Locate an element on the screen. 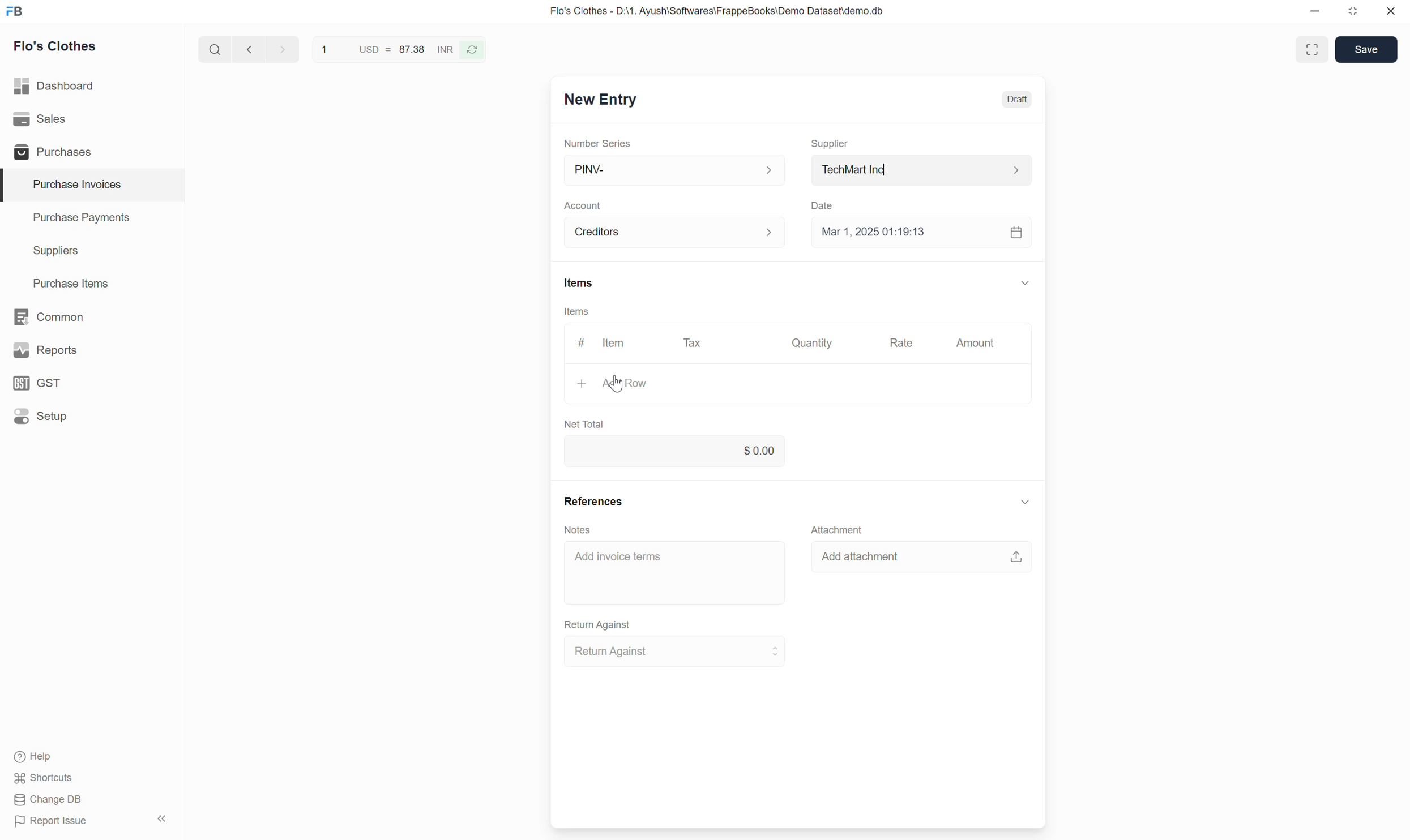  Common is located at coordinates (50, 316).